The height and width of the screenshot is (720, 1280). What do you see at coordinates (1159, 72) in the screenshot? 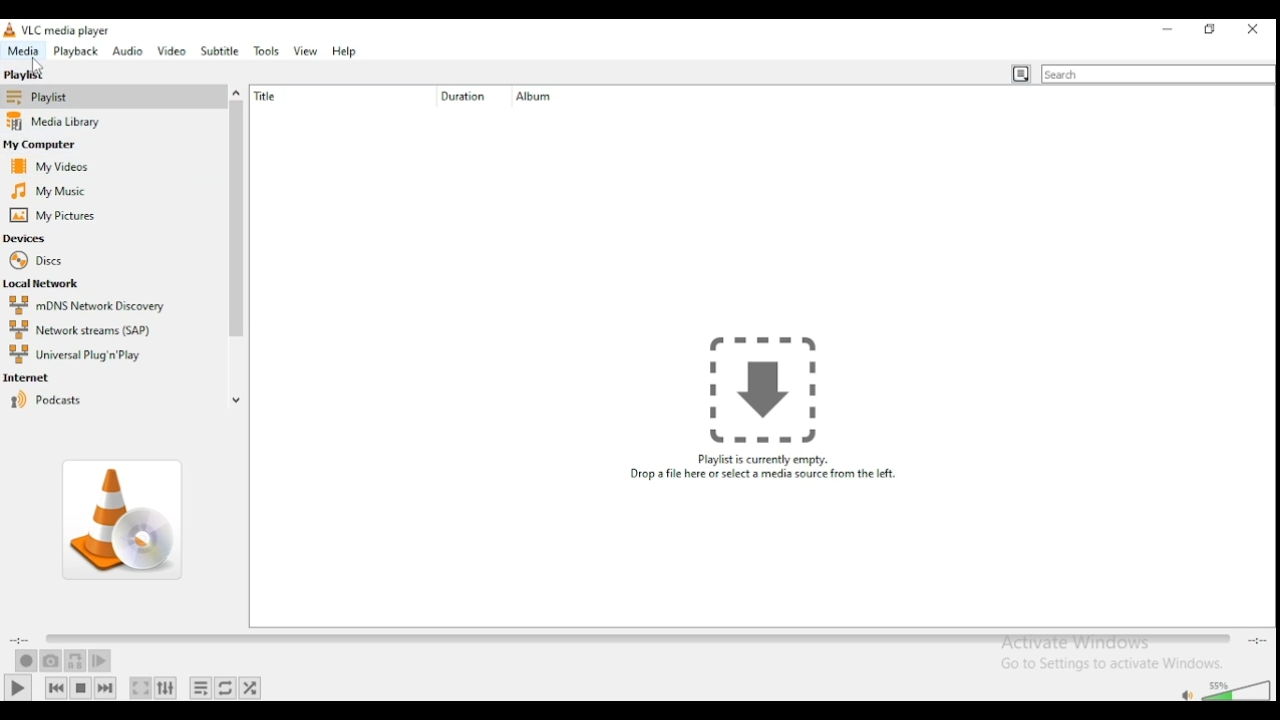
I see `toggle playlist view` at bounding box center [1159, 72].